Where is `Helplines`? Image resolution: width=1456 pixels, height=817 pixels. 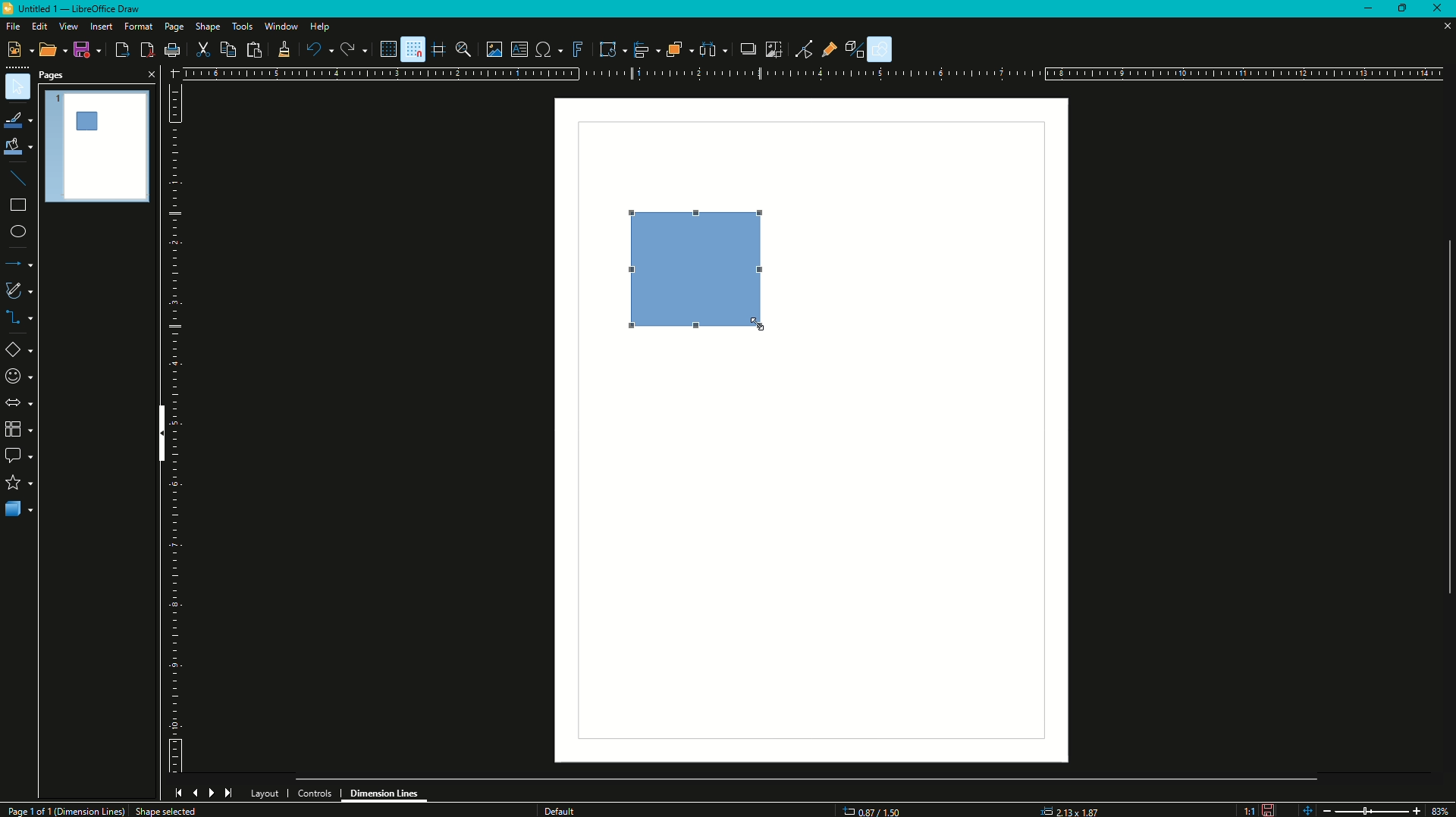 Helplines is located at coordinates (438, 49).